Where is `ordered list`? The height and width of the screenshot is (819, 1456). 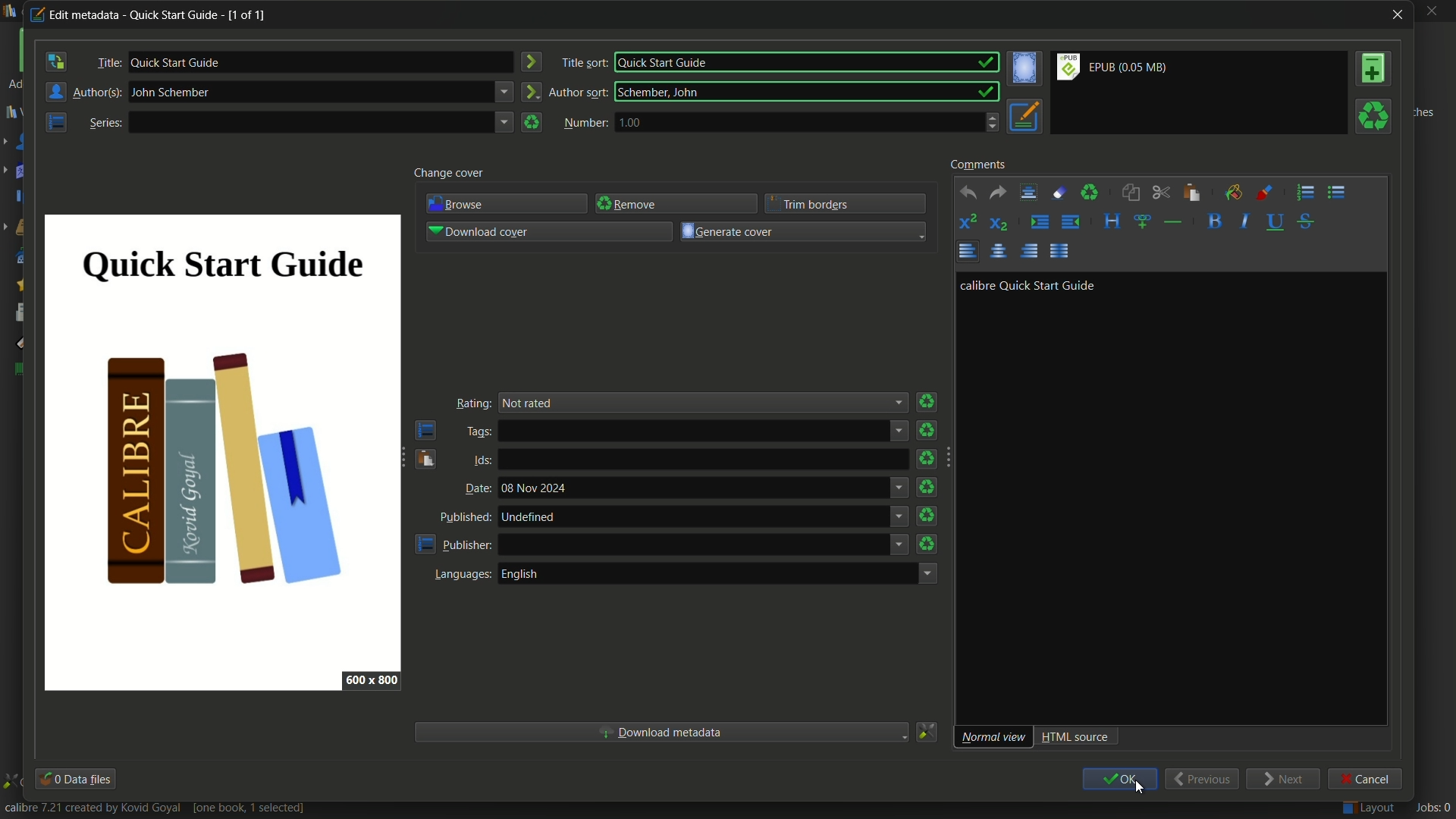
ordered list is located at coordinates (1307, 193).